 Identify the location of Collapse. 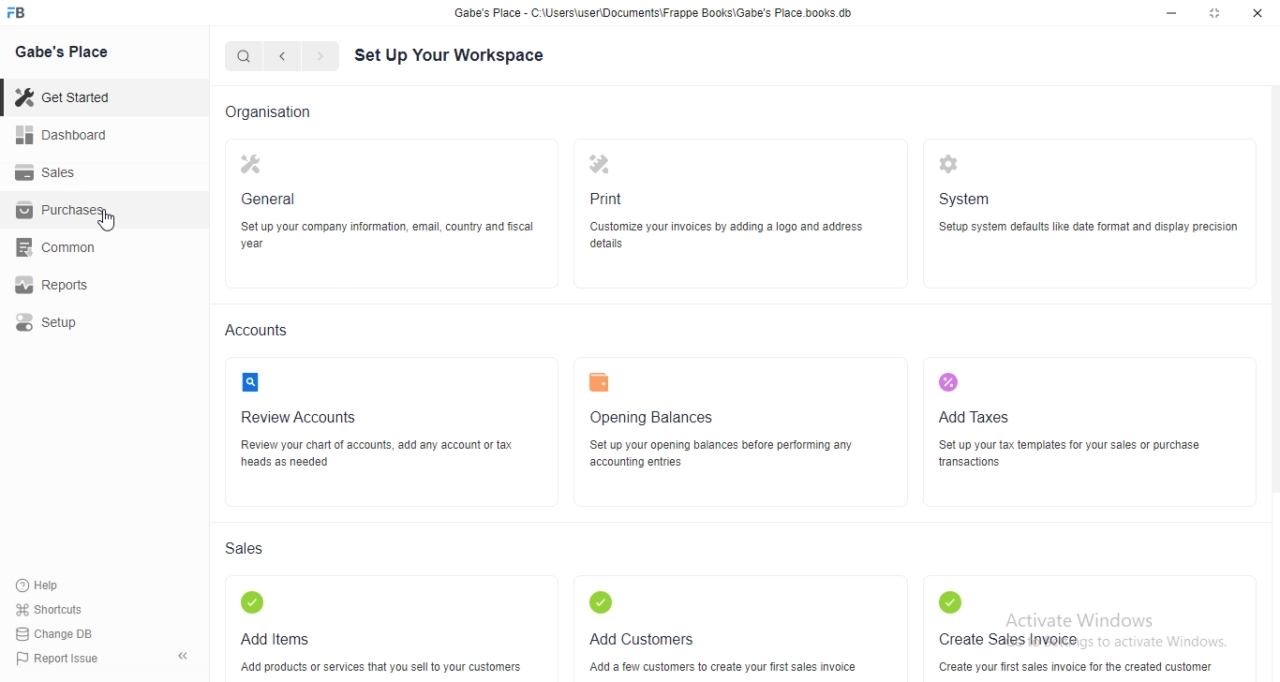
(183, 656).